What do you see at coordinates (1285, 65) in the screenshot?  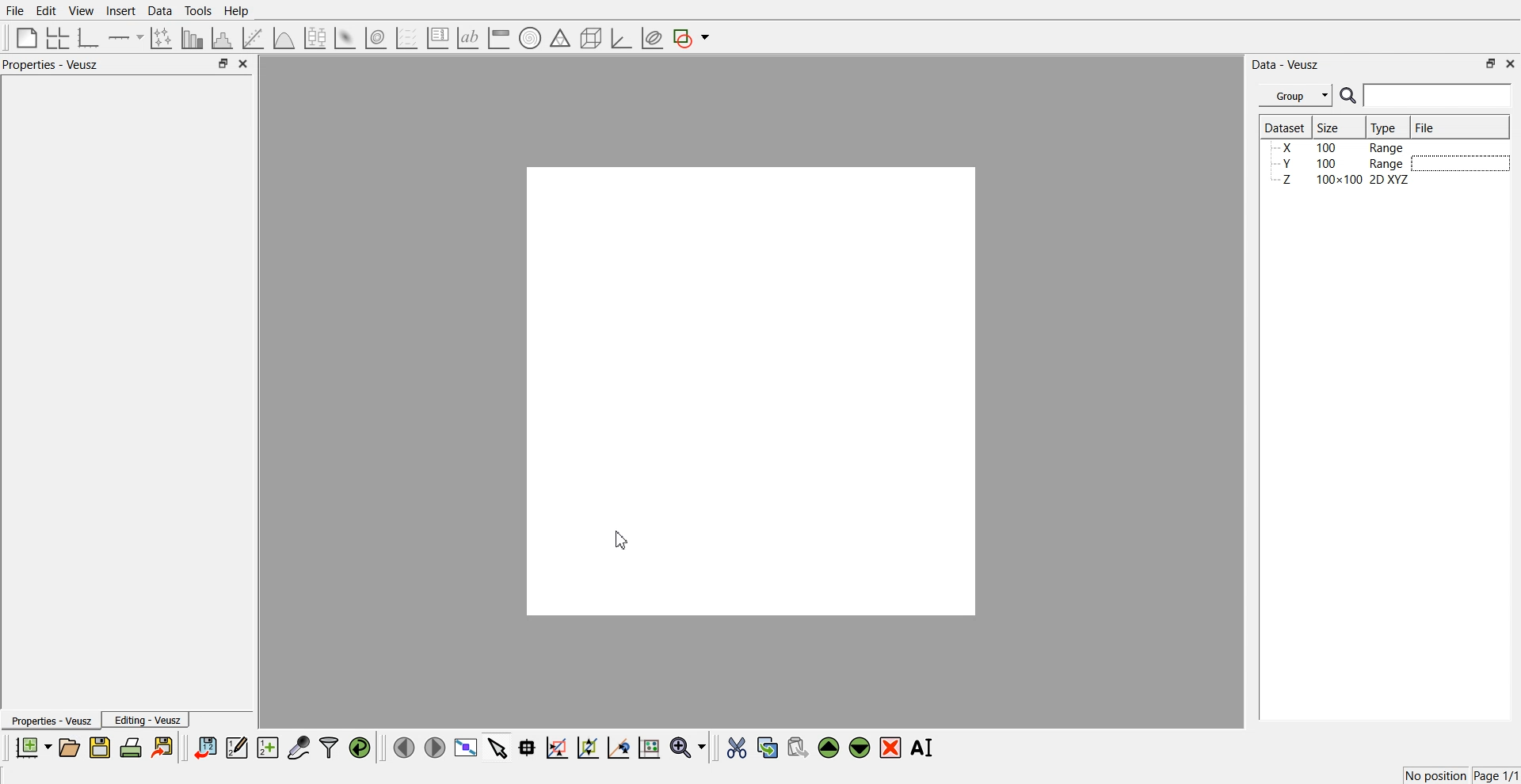 I see `Data - Veusz` at bounding box center [1285, 65].